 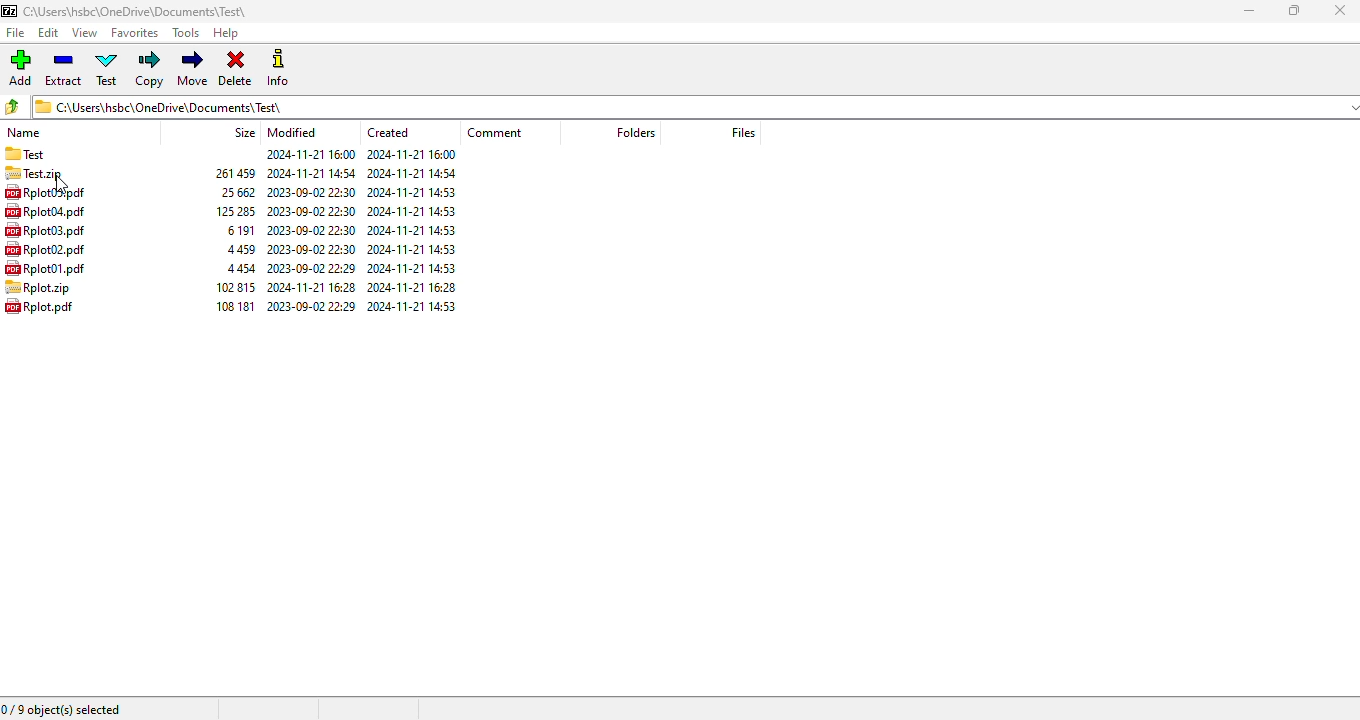 I want to click on browse folders, so click(x=12, y=106).